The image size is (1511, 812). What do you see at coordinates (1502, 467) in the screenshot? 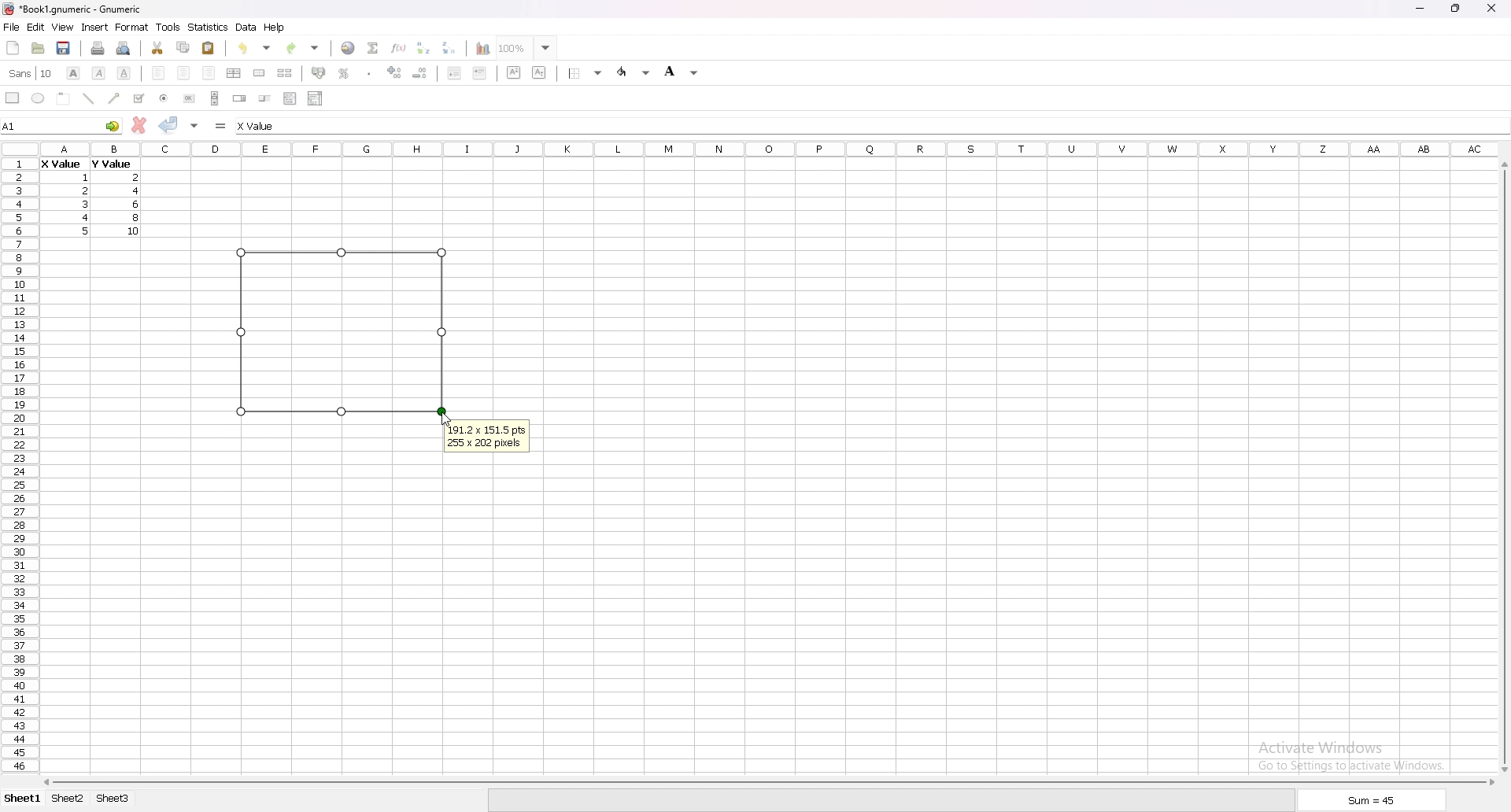
I see `scroll bar` at bounding box center [1502, 467].